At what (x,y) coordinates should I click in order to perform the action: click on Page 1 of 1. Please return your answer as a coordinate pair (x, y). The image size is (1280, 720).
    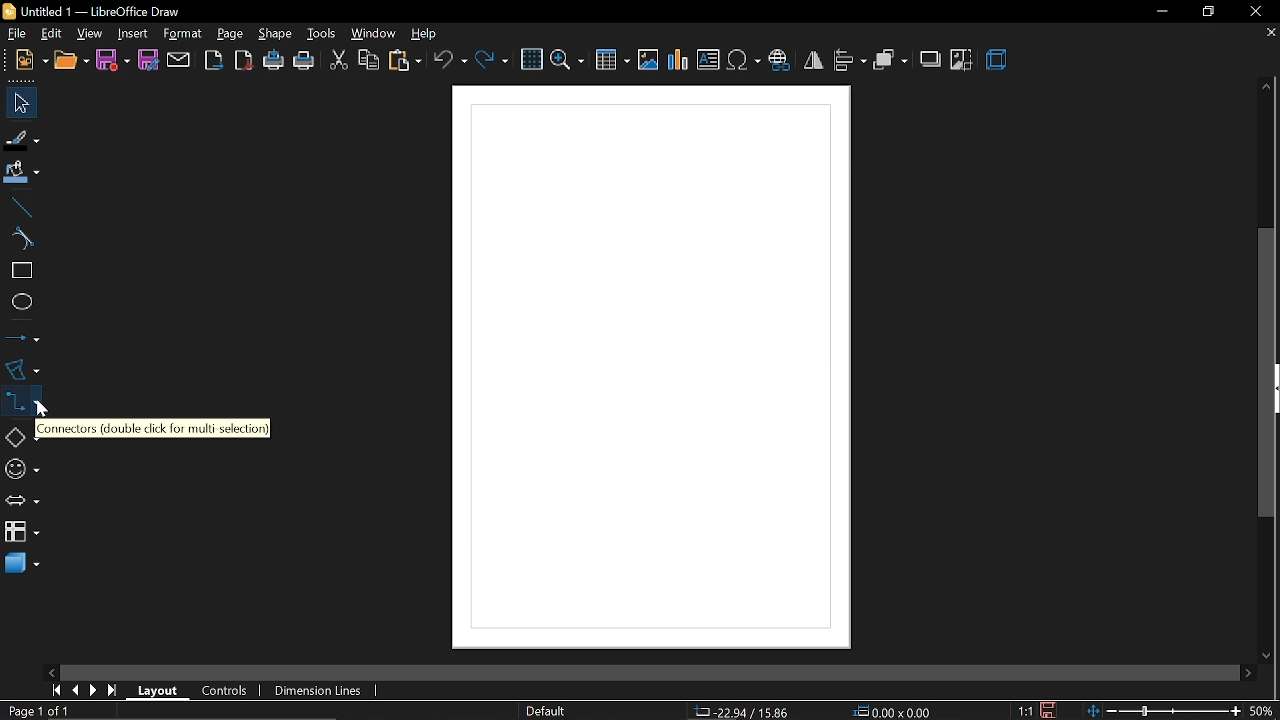
    Looking at the image, I should click on (44, 711).